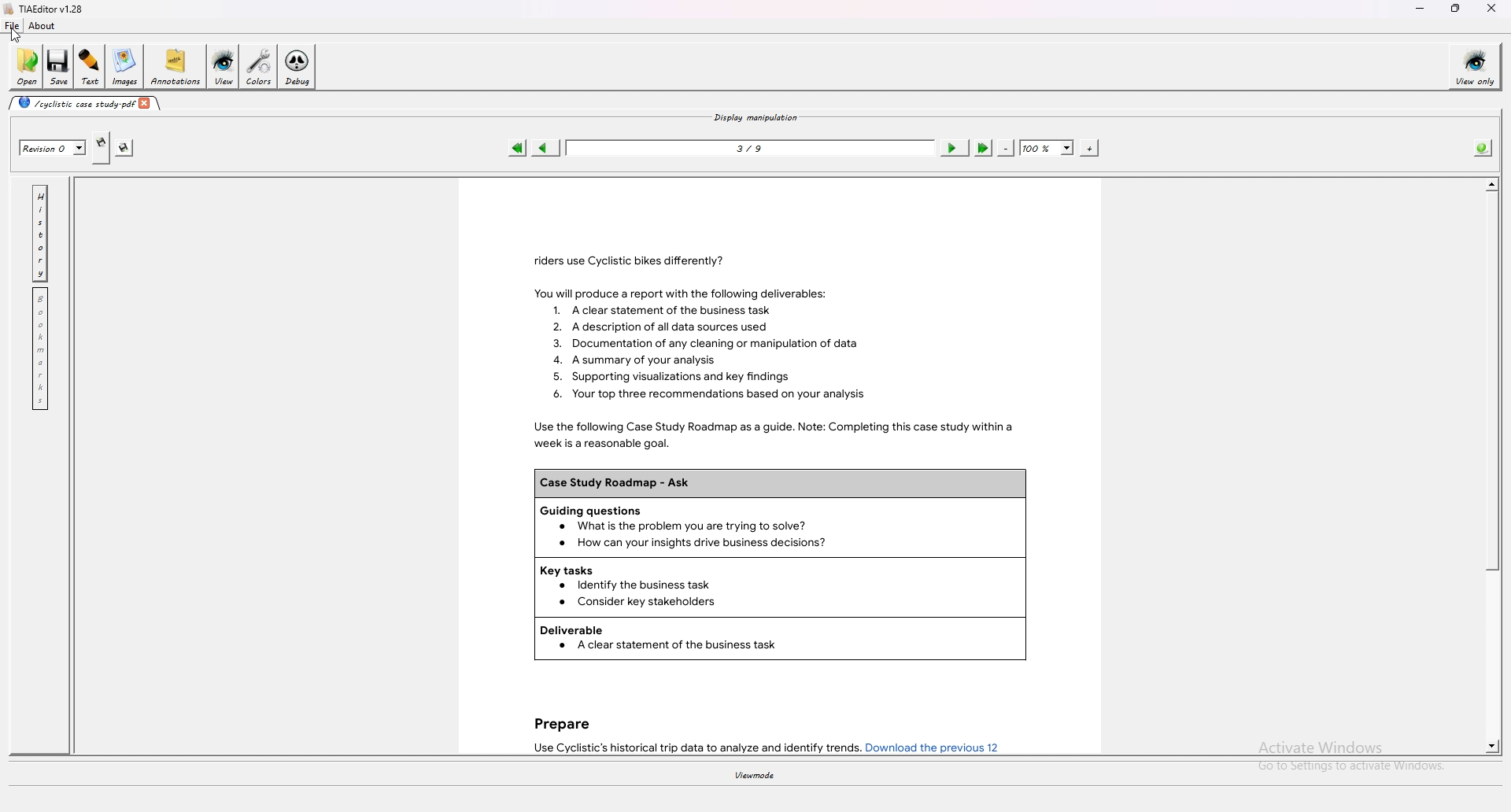  What do you see at coordinates (781, 529) in the screenshot?
I see `Guiding questions What is the problem you are trying to solve?How can your insights drive business decisions?` at bounding box center [781, 529].